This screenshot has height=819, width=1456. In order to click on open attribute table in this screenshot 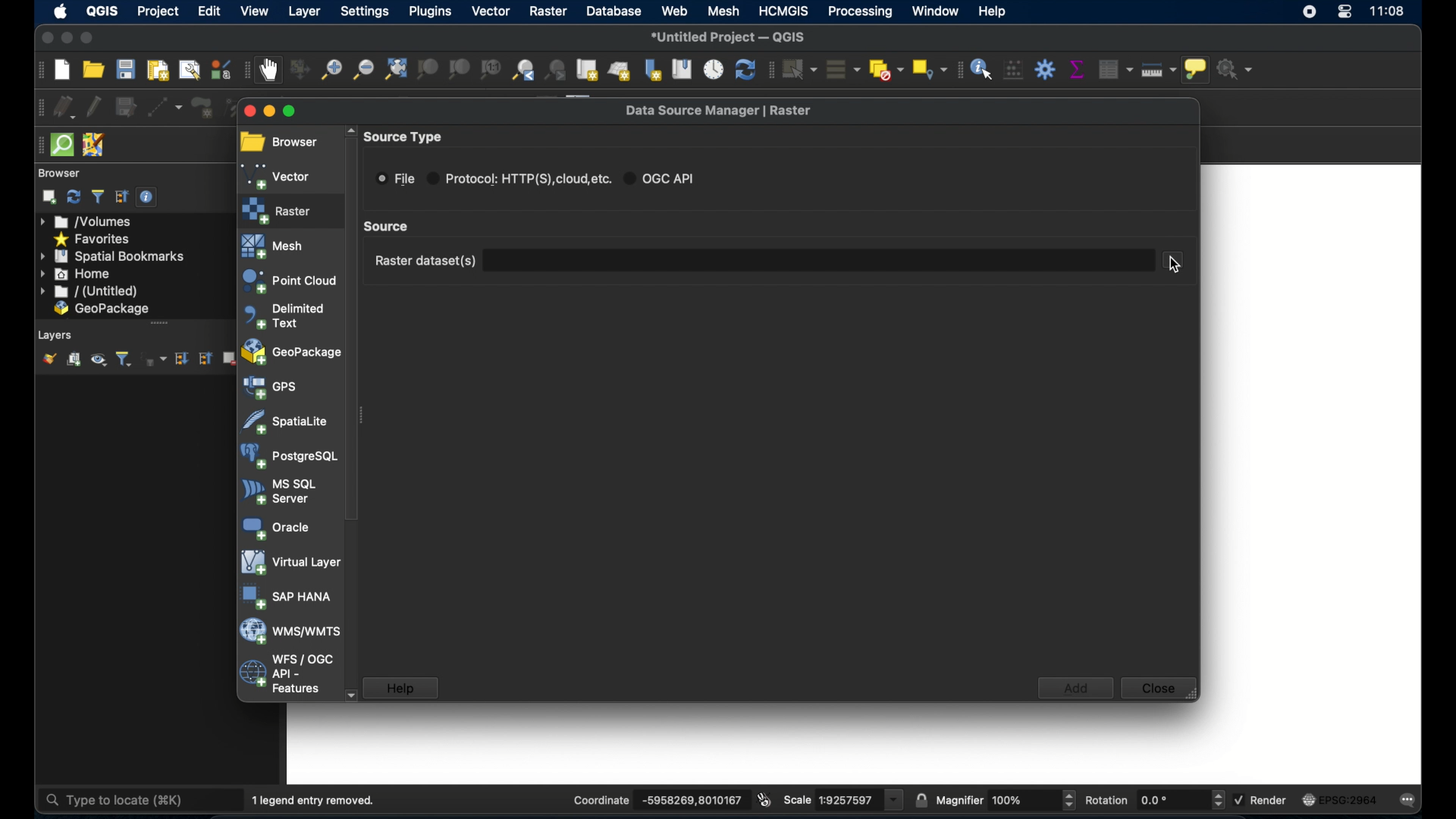, I will do `click(1112, 67)`.